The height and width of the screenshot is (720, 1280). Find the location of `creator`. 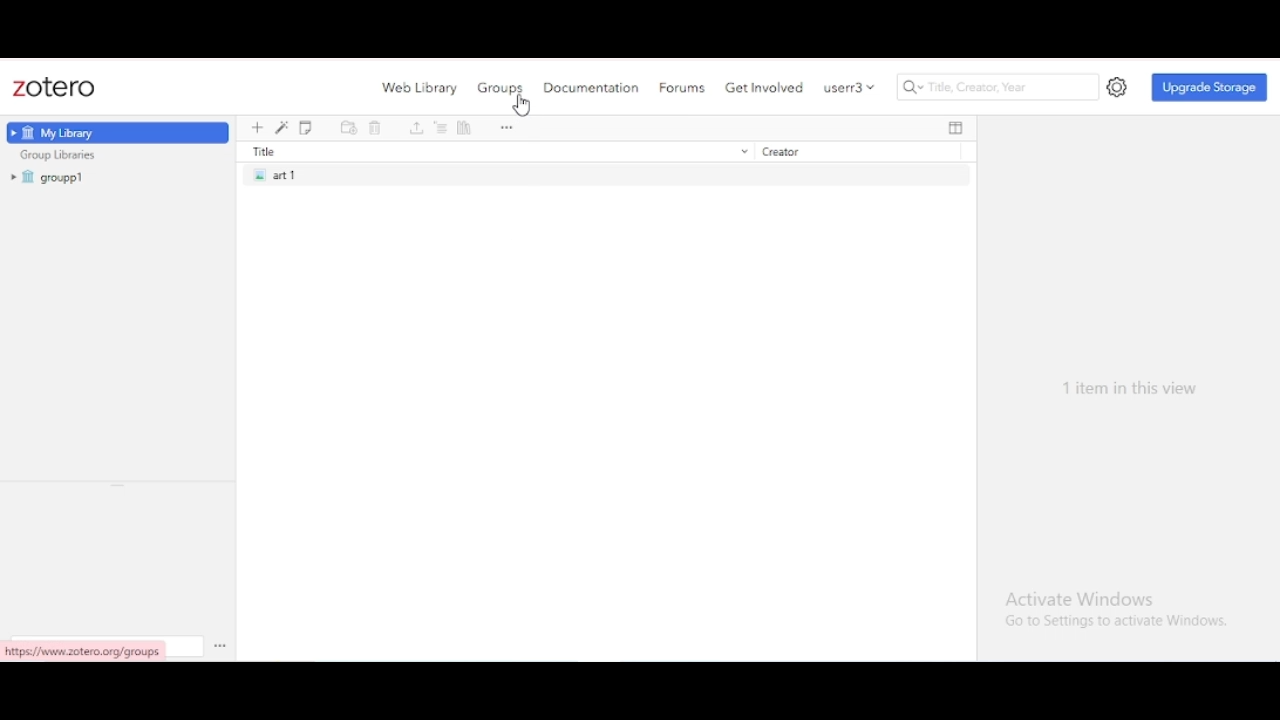

creator is located at coordinates (851, 152).